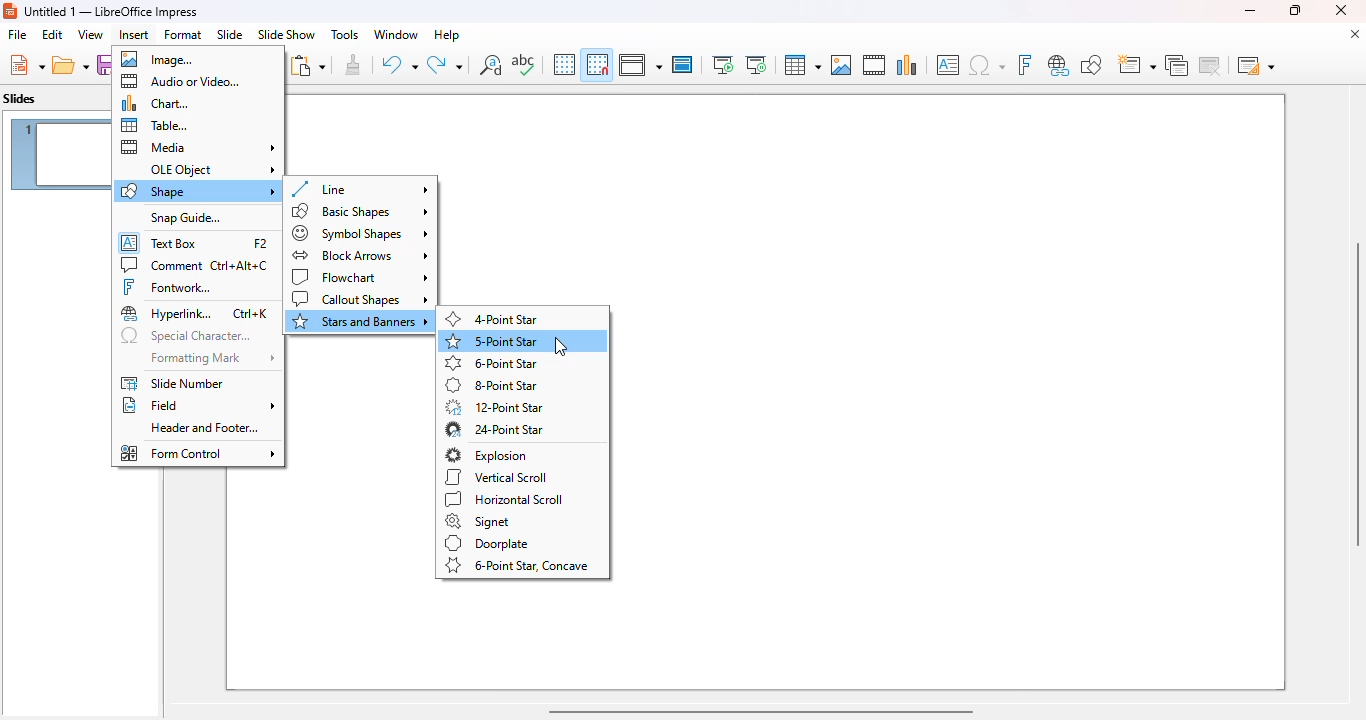 Image resolution: width=1366 pixels, height=720 pixels. Describe the element at coordinates (1135, 65) in the screenshot. I see `new slide` at that location.